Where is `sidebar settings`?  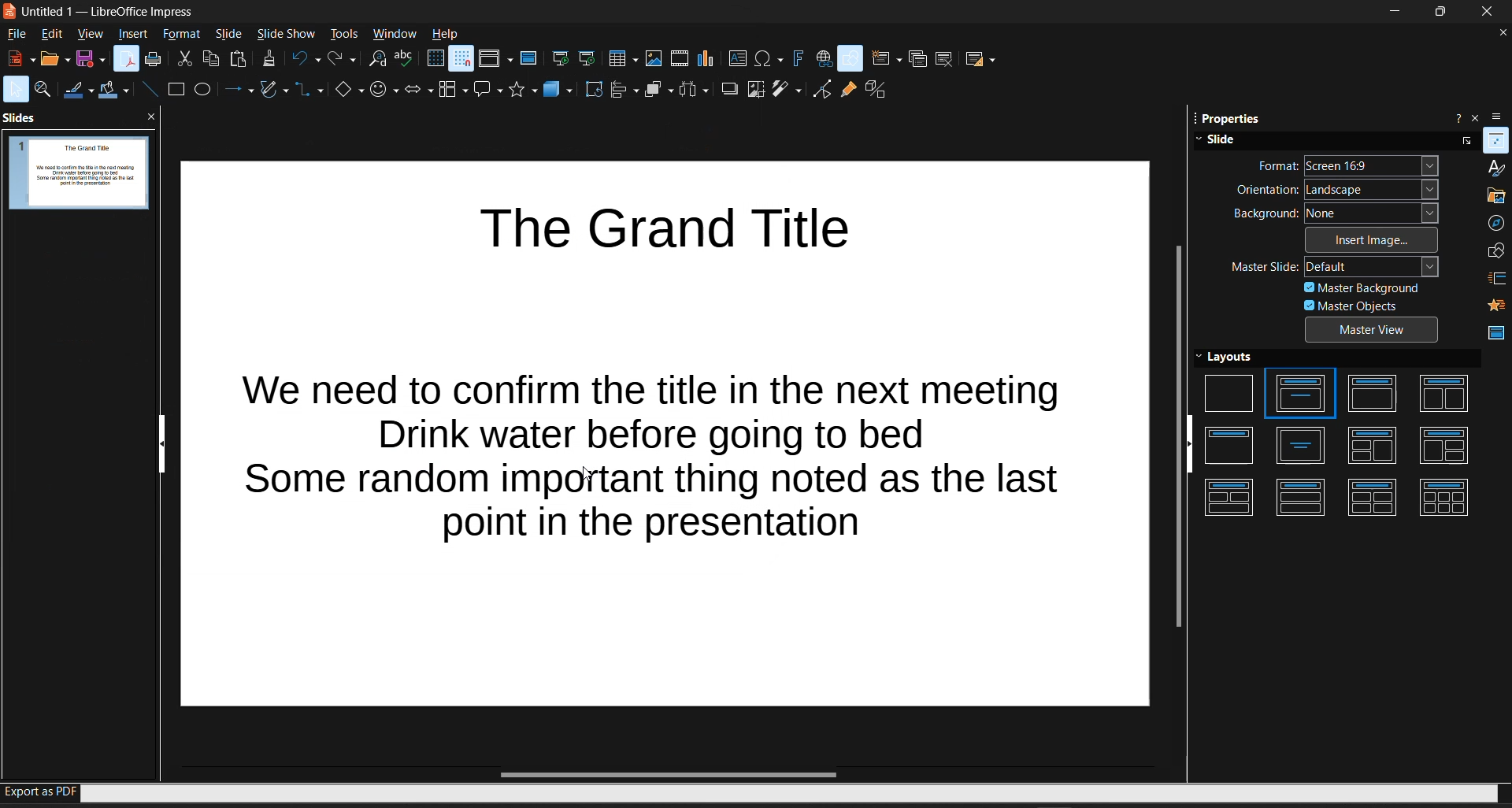
sidebar settings is located at coordinates (1502, 116).